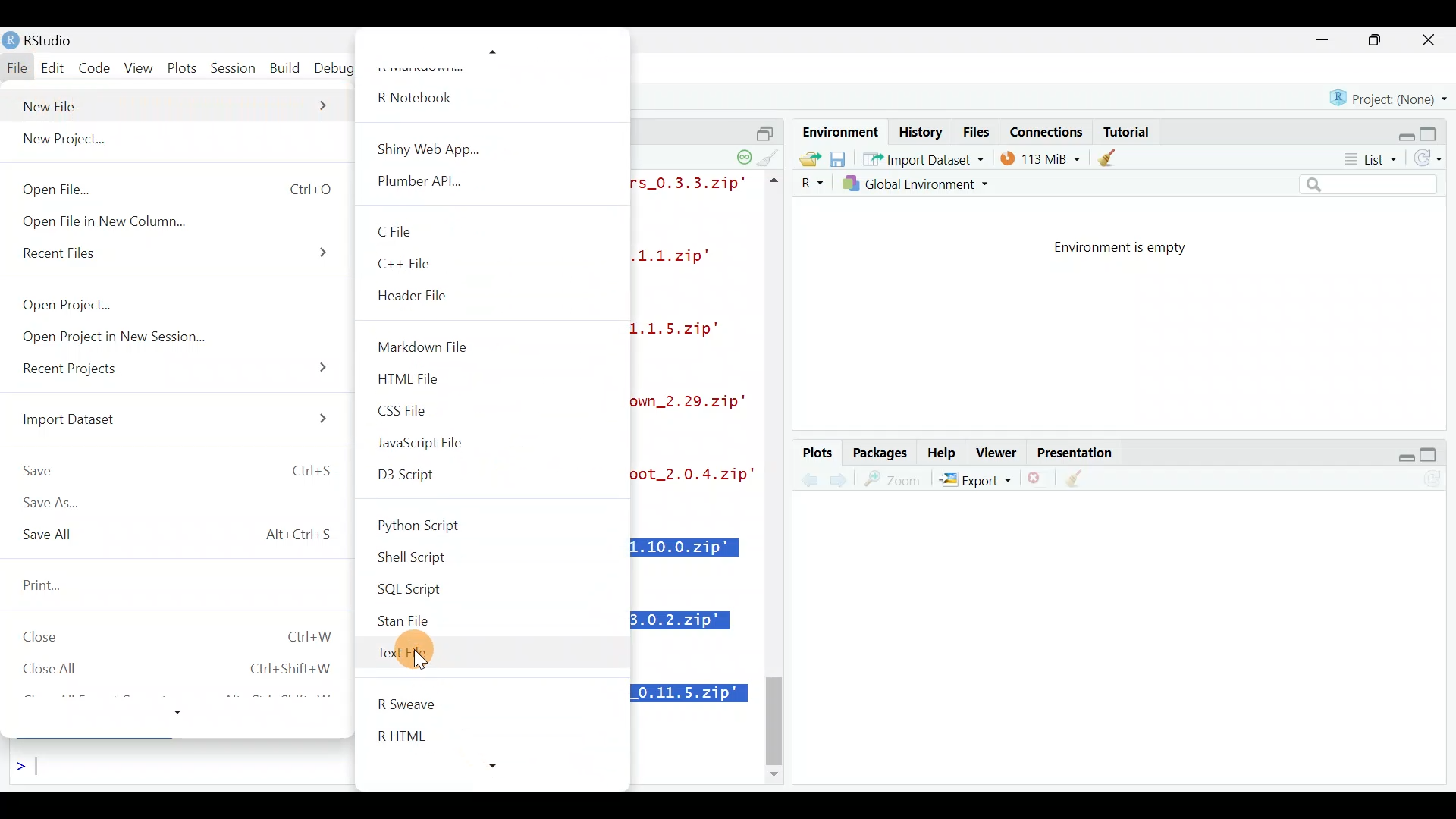  What do you see at coordinates (17, 67) in the screenshot?
I see `File` at bounding box center [17, 67].